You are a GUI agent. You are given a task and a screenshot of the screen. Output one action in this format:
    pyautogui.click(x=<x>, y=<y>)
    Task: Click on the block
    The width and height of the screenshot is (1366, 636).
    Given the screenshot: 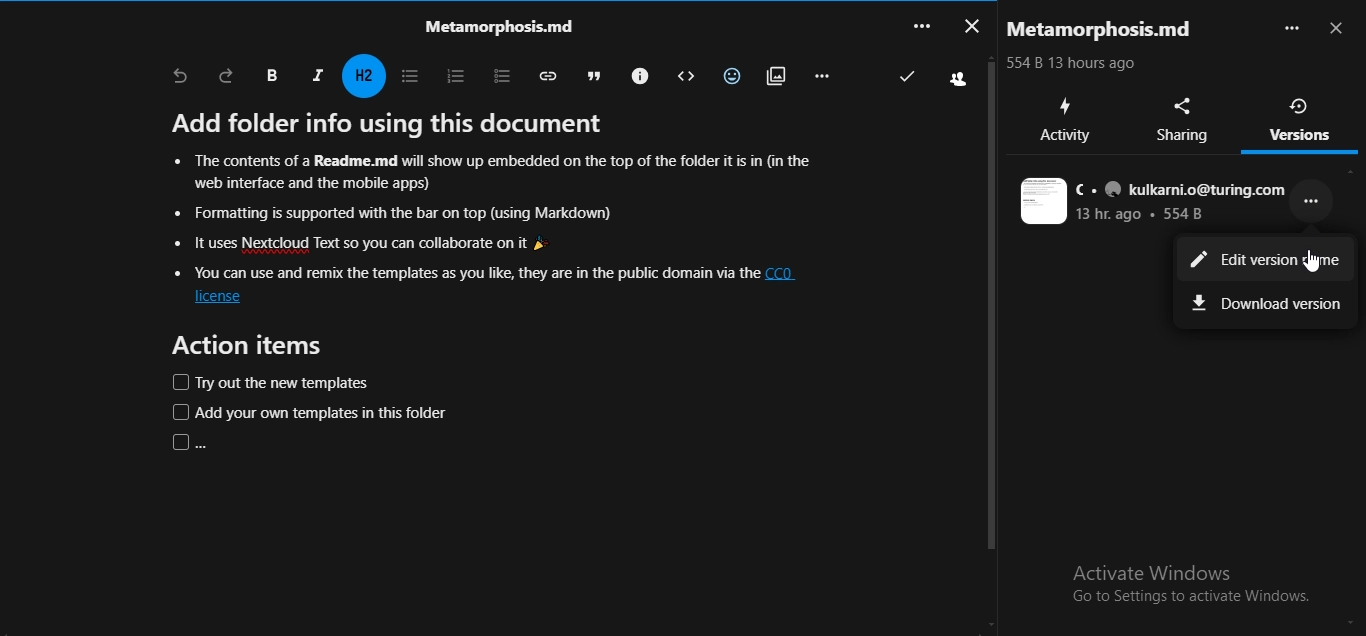 What is the action you would take?
    pyautogui.click(x=681, y=76)
    